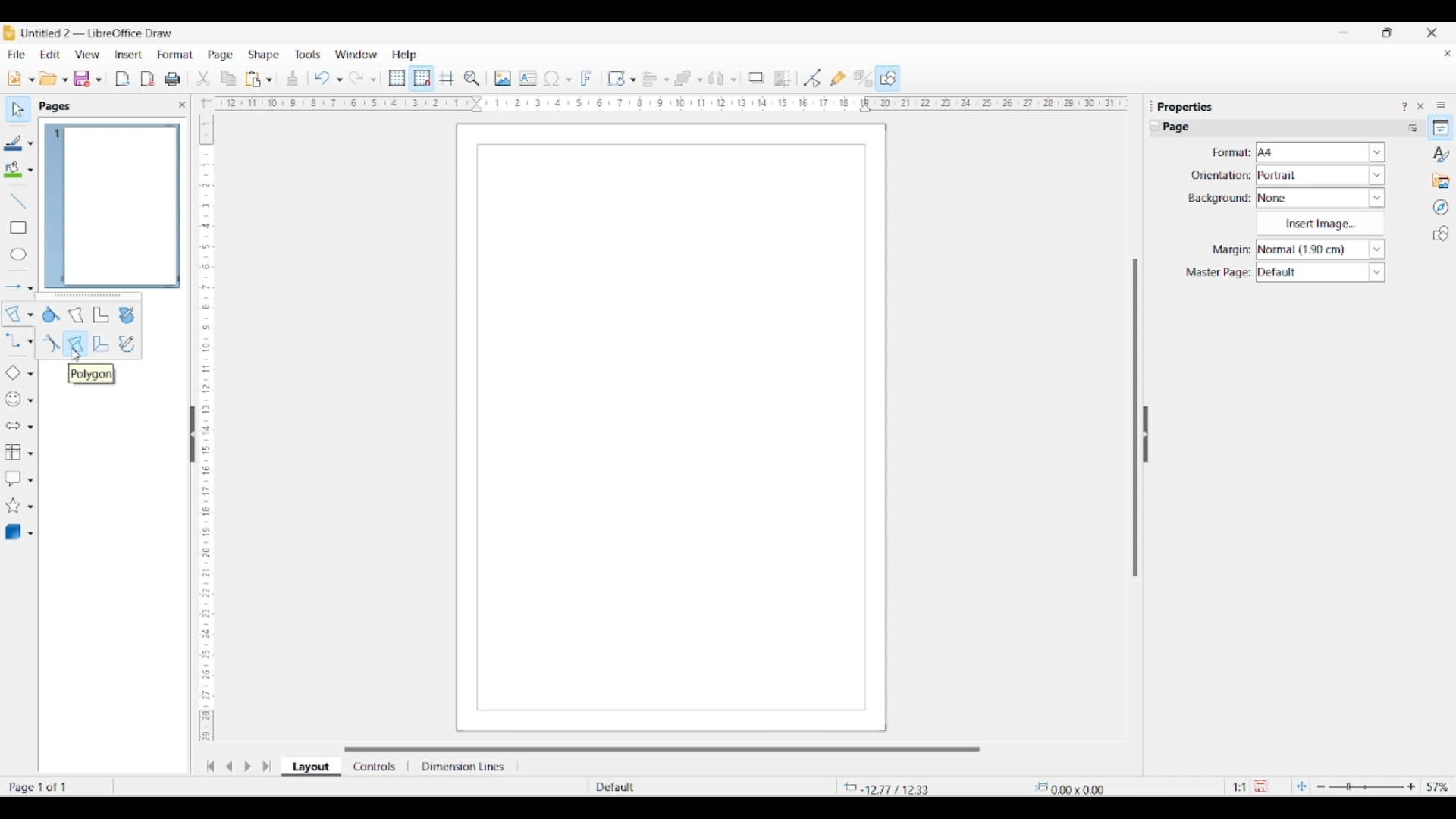 This screenshot has width=1456, height=819. I want to click on Selected special character, so click(552, 78).